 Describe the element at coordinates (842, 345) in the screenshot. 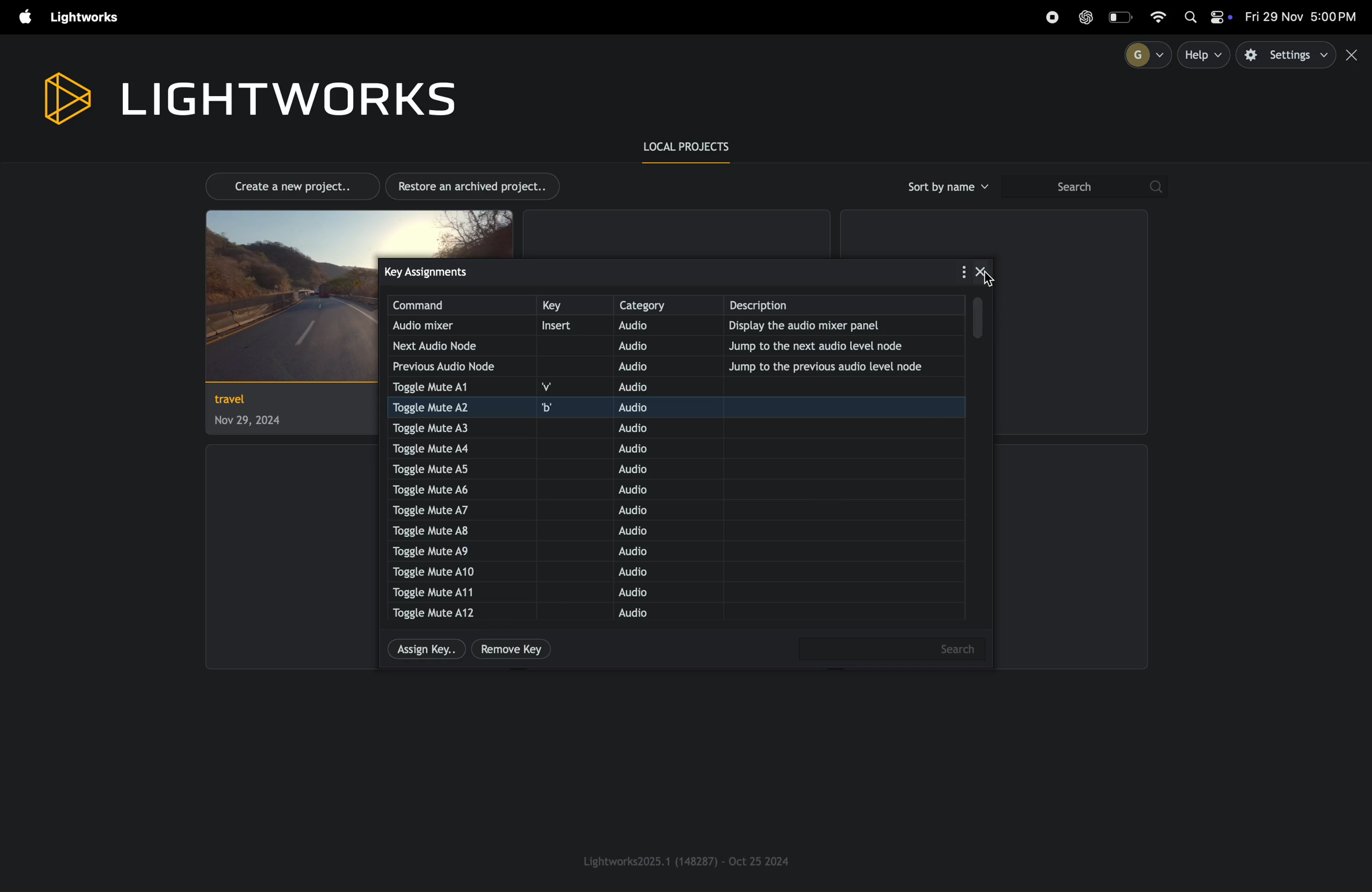

I see `jump to the next audio` at that location.